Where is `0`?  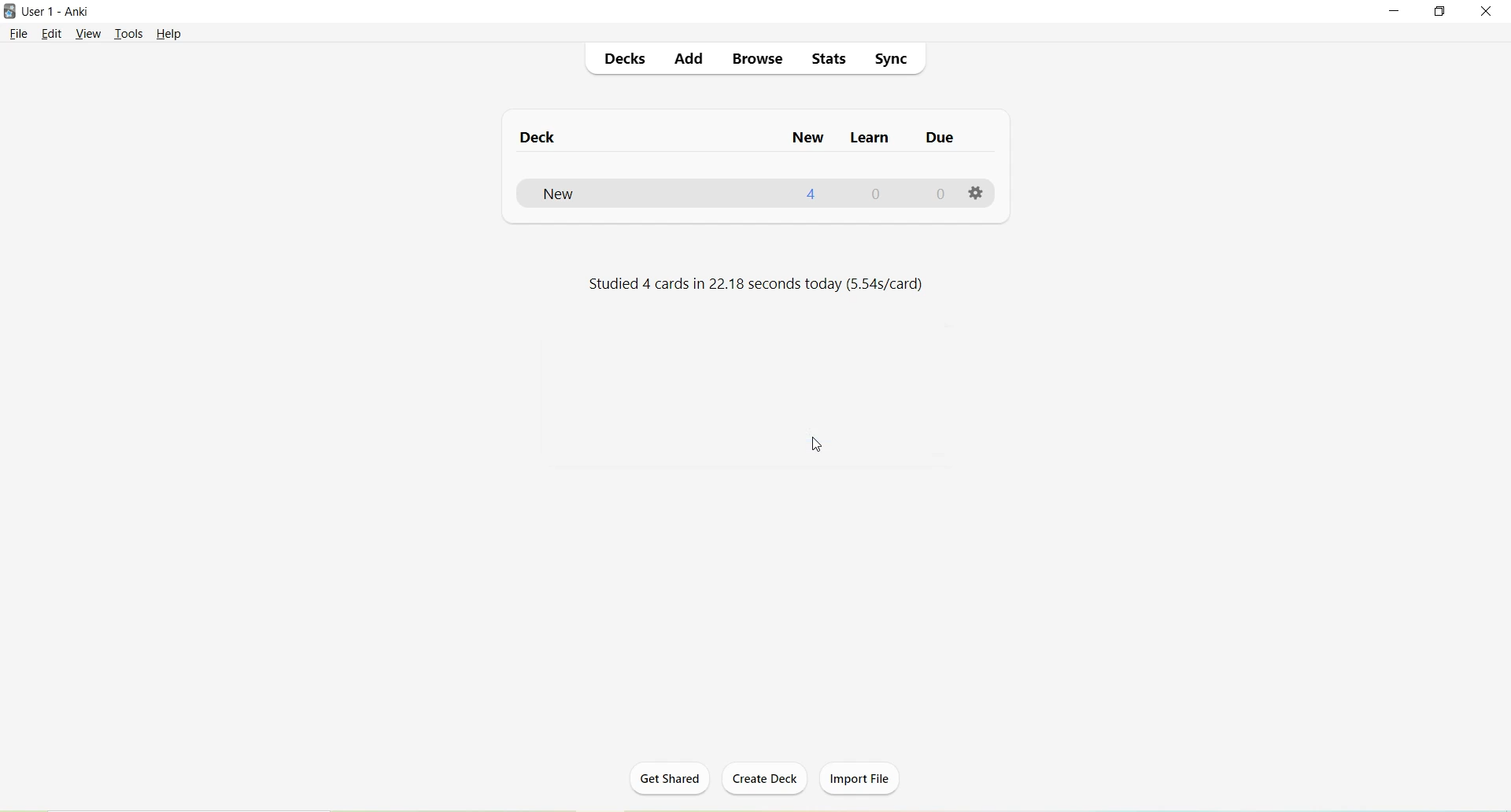 0 is located at coordinates (877, 194).